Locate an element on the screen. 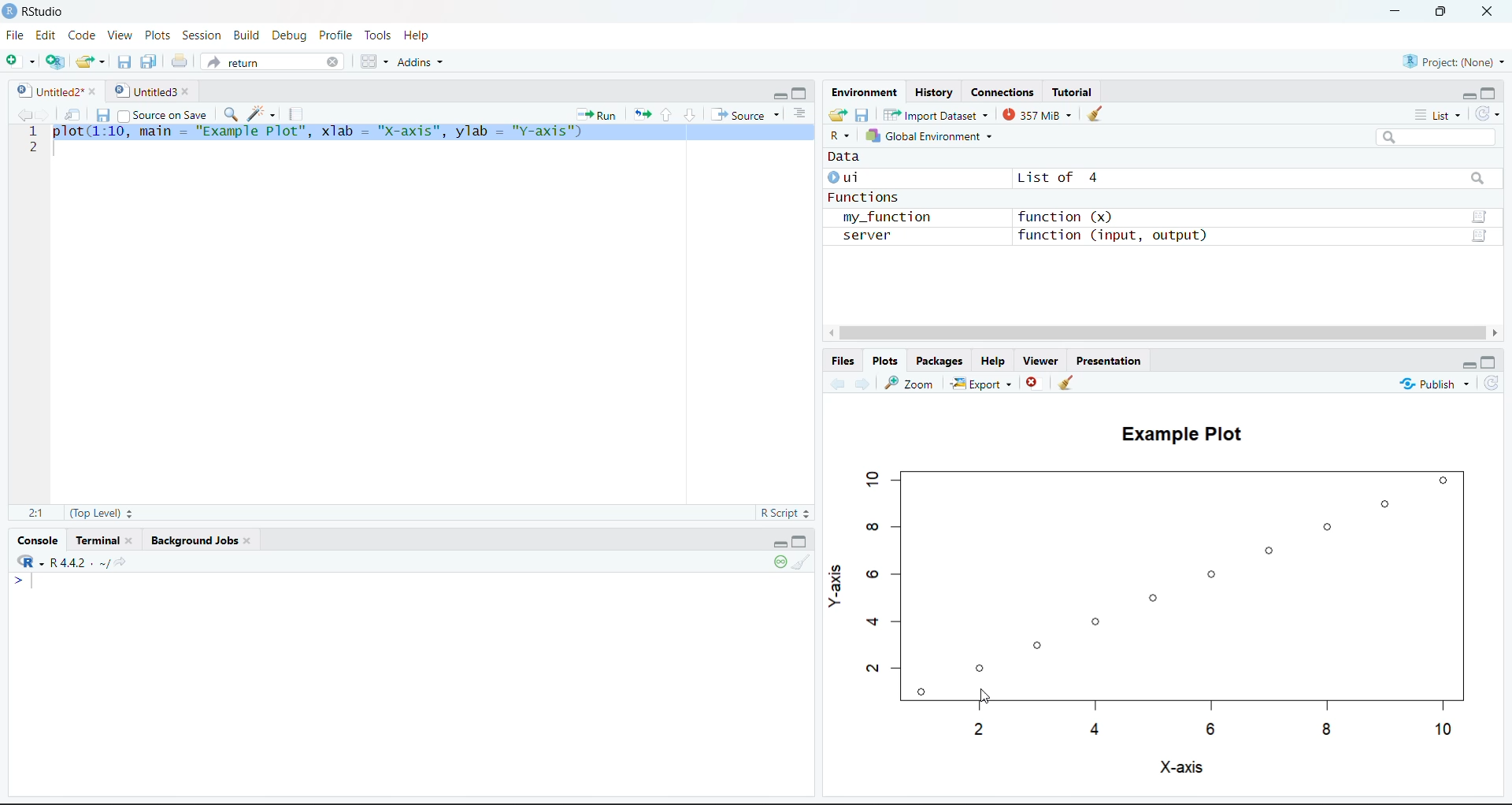  Save all open documents (Ctrl + Alt + S) is located at coordinates (150, 63).